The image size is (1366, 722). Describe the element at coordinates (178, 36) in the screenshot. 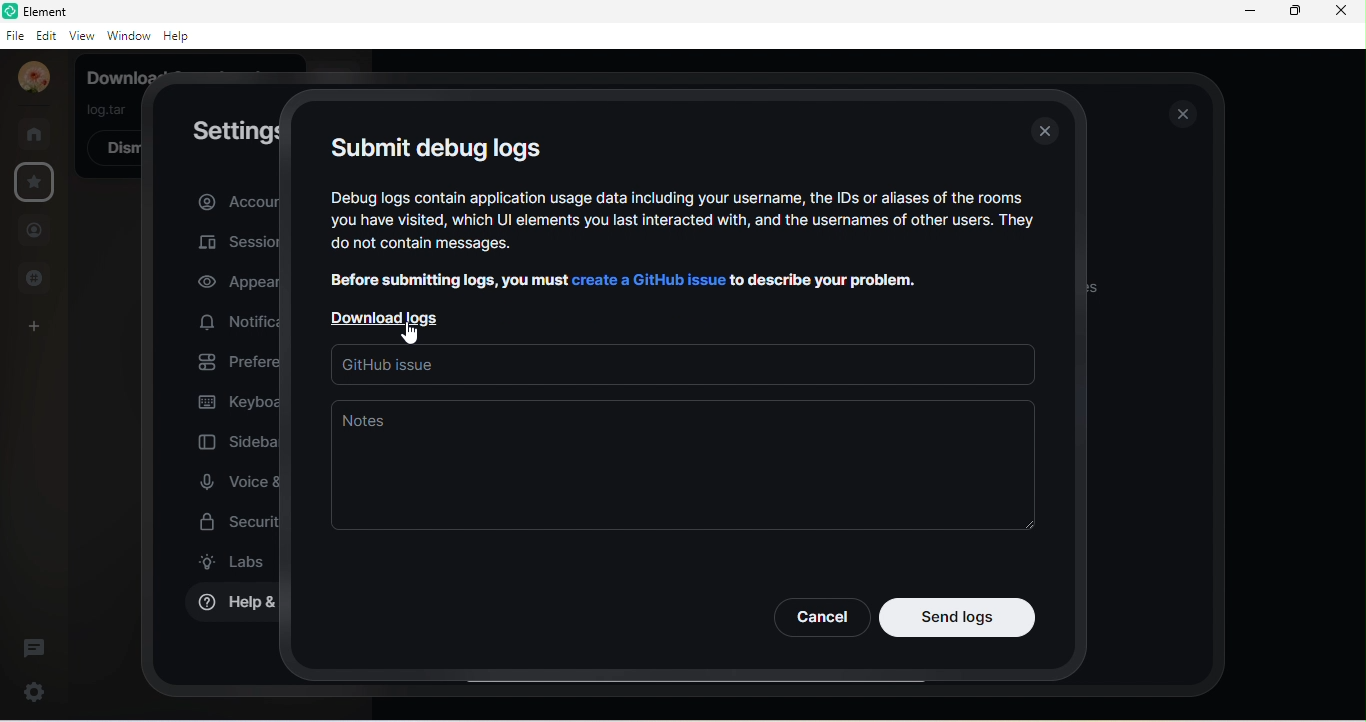

I see `help` at that location.